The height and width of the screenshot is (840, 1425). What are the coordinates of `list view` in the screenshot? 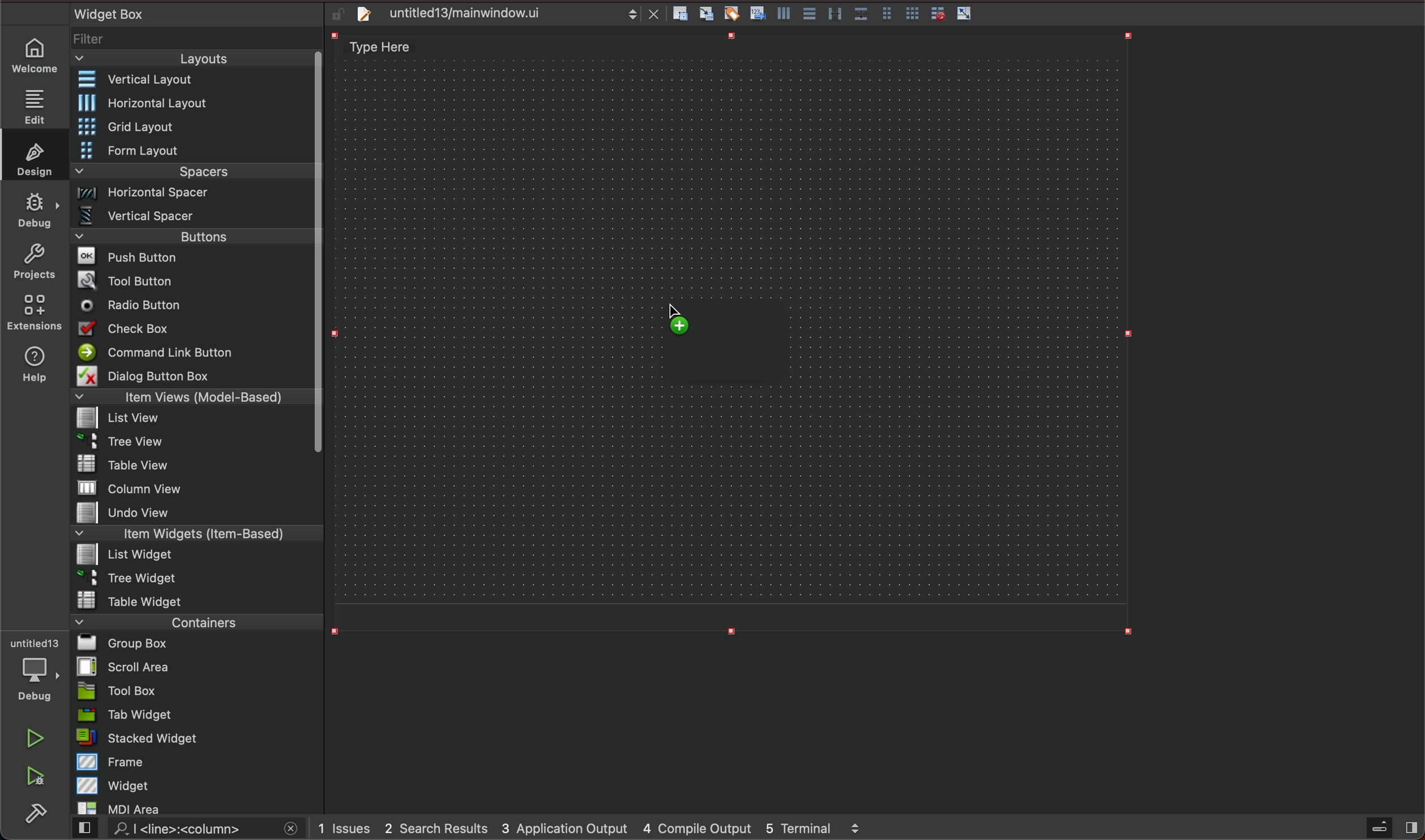 It's located at (191, 419).